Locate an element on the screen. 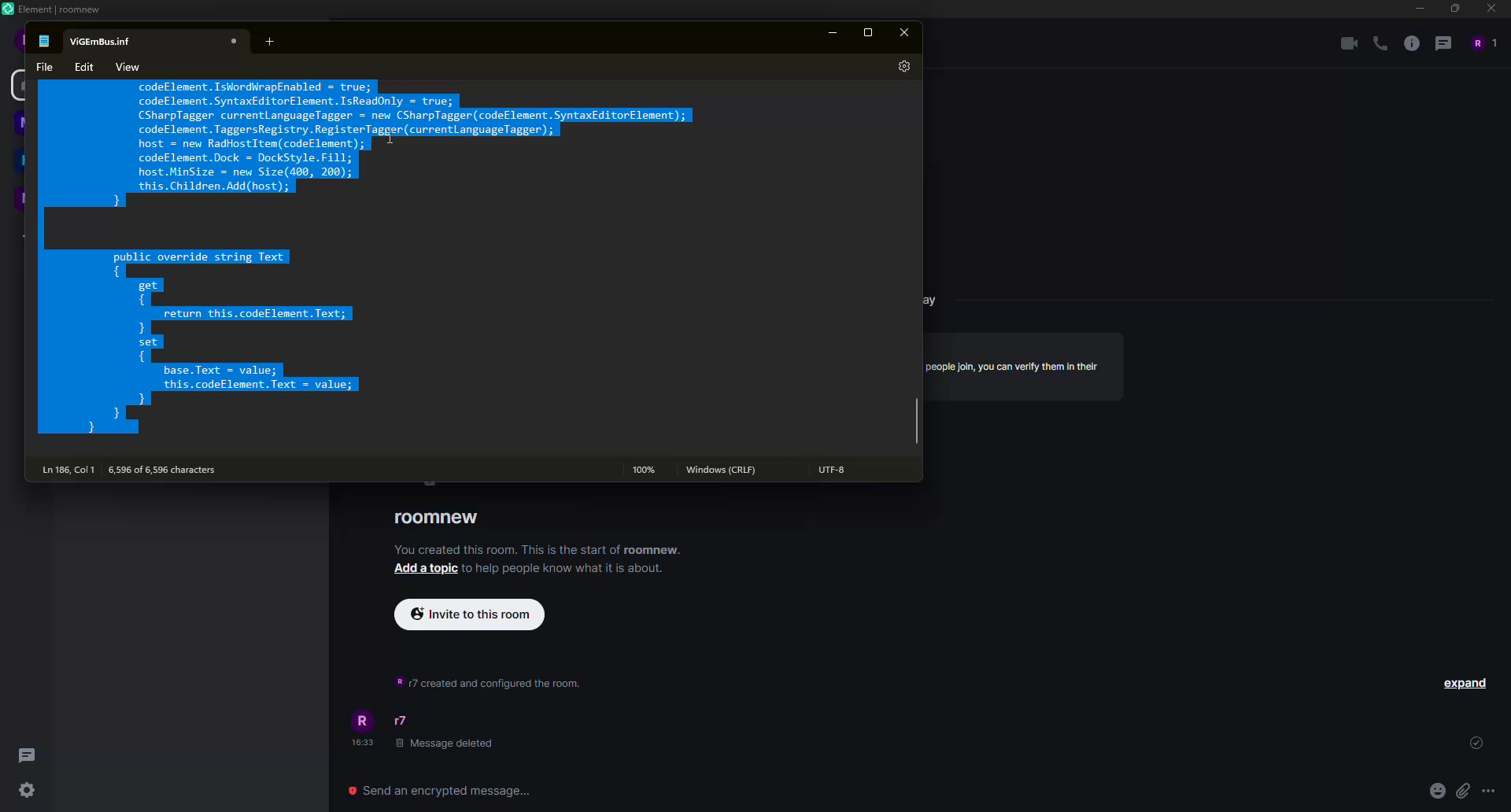  utf is located at coordinates (837, 471).